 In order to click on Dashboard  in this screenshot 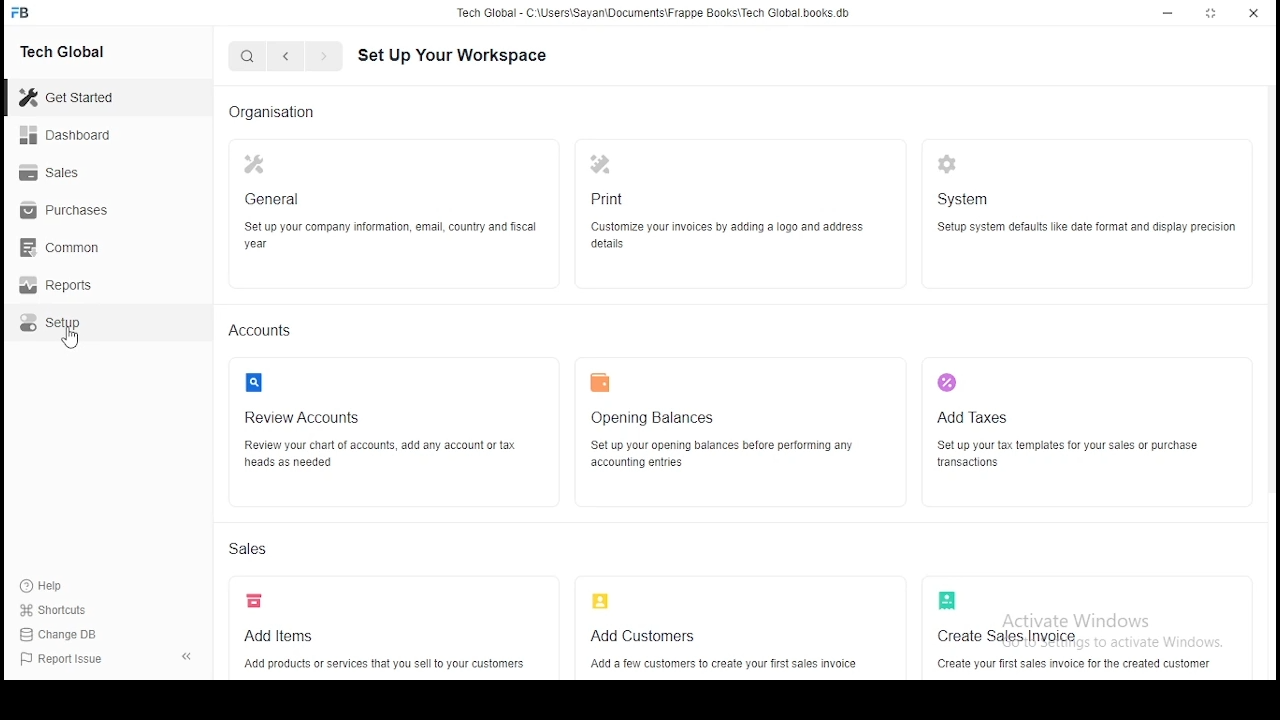, I will do `click(85, 135)`.